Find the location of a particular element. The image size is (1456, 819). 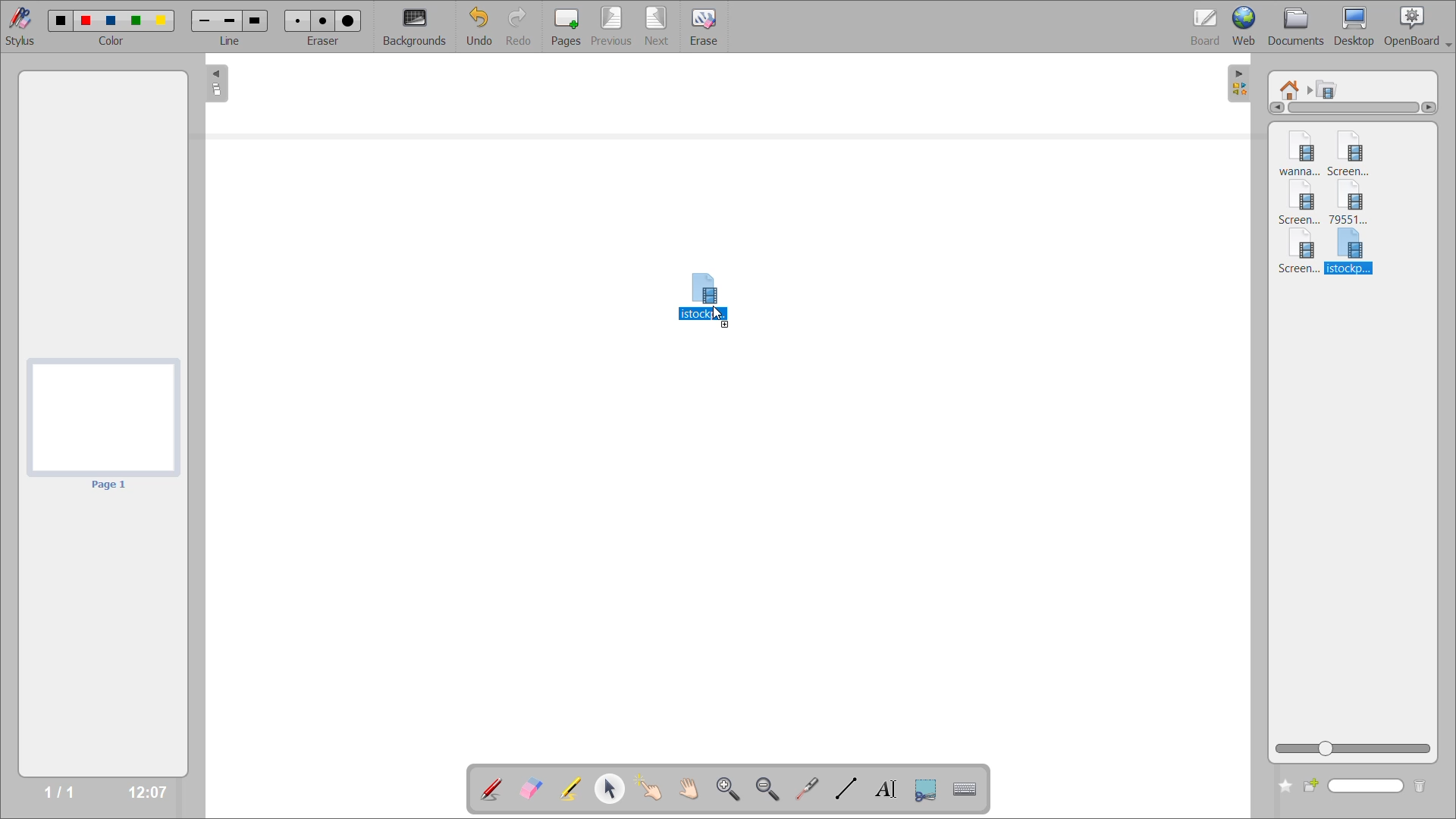

previous is located at coordinates (609, 27).